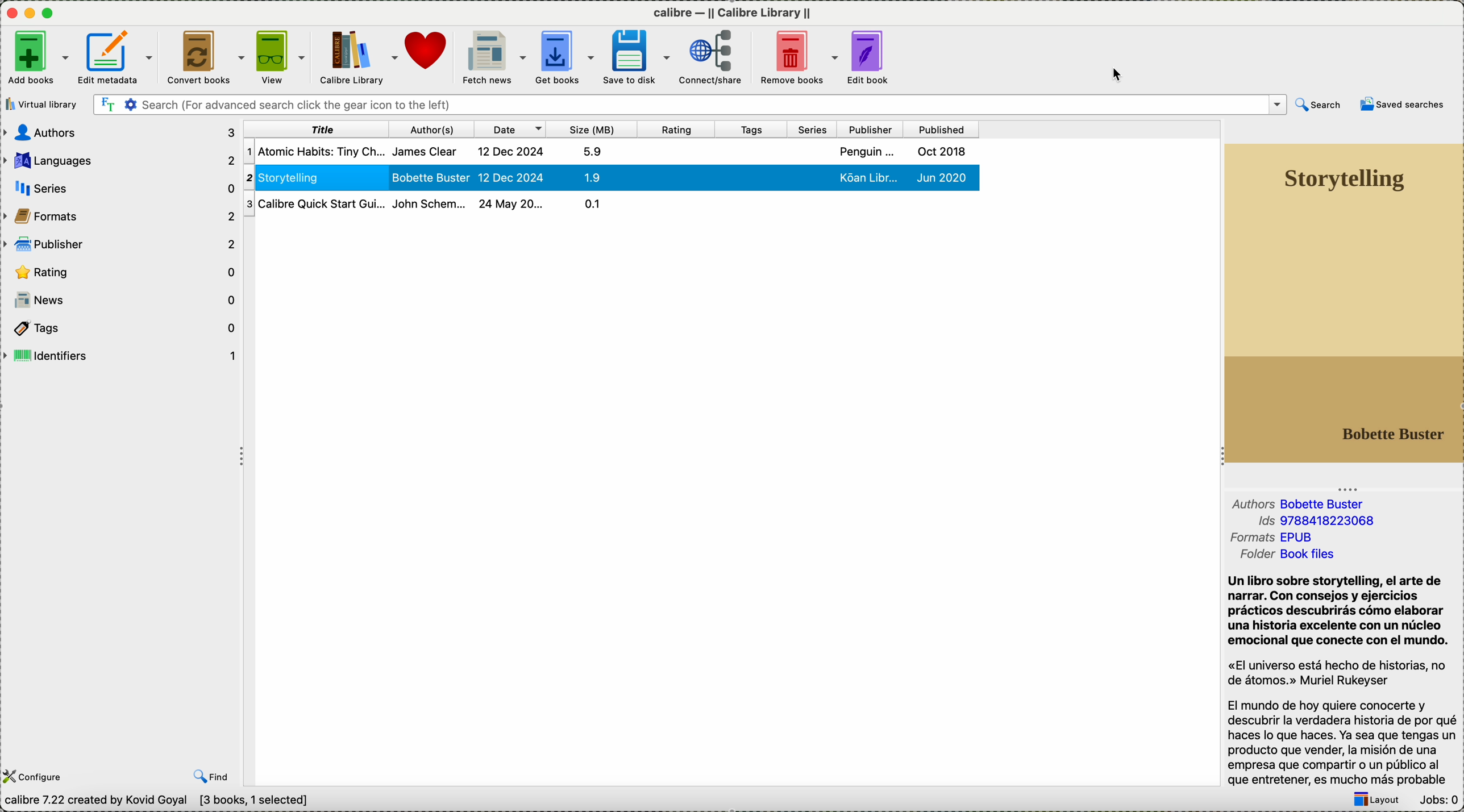  I want to click on search, so click(1319, 106).